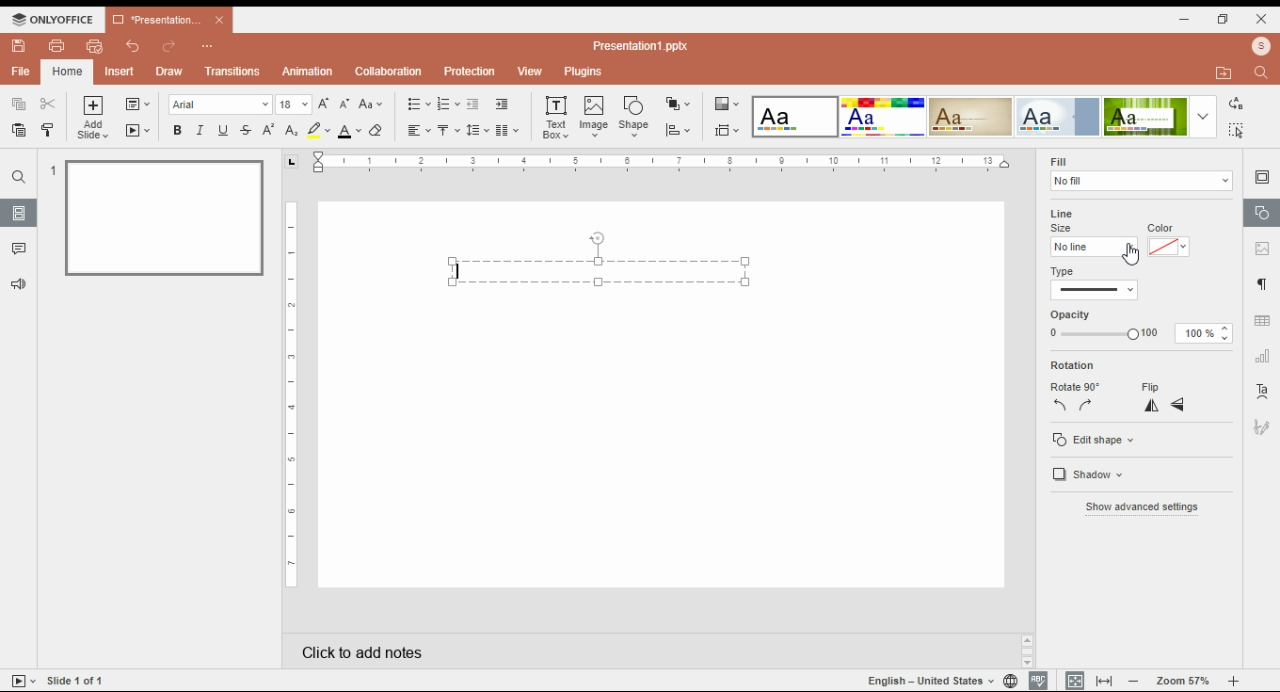 The height and width of the screenshot is (692, 1280). What do you see at coordinates (1028, 652) in the screenshot?
I see `scrollbar` at bounding box center [1028, 652].